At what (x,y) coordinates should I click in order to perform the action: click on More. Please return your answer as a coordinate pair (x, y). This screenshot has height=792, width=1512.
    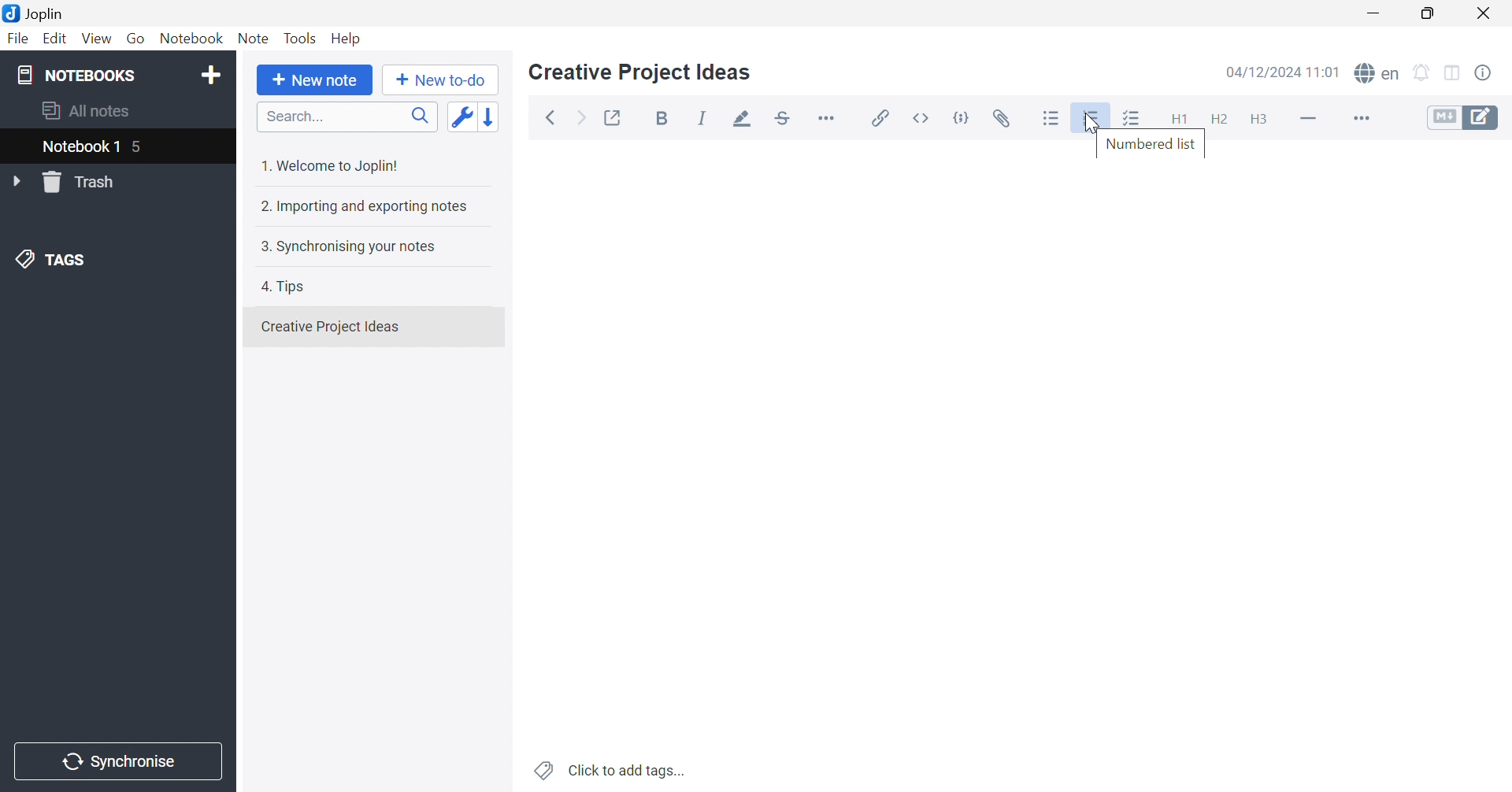
    Looking at the image, I should click on (1363, 120).